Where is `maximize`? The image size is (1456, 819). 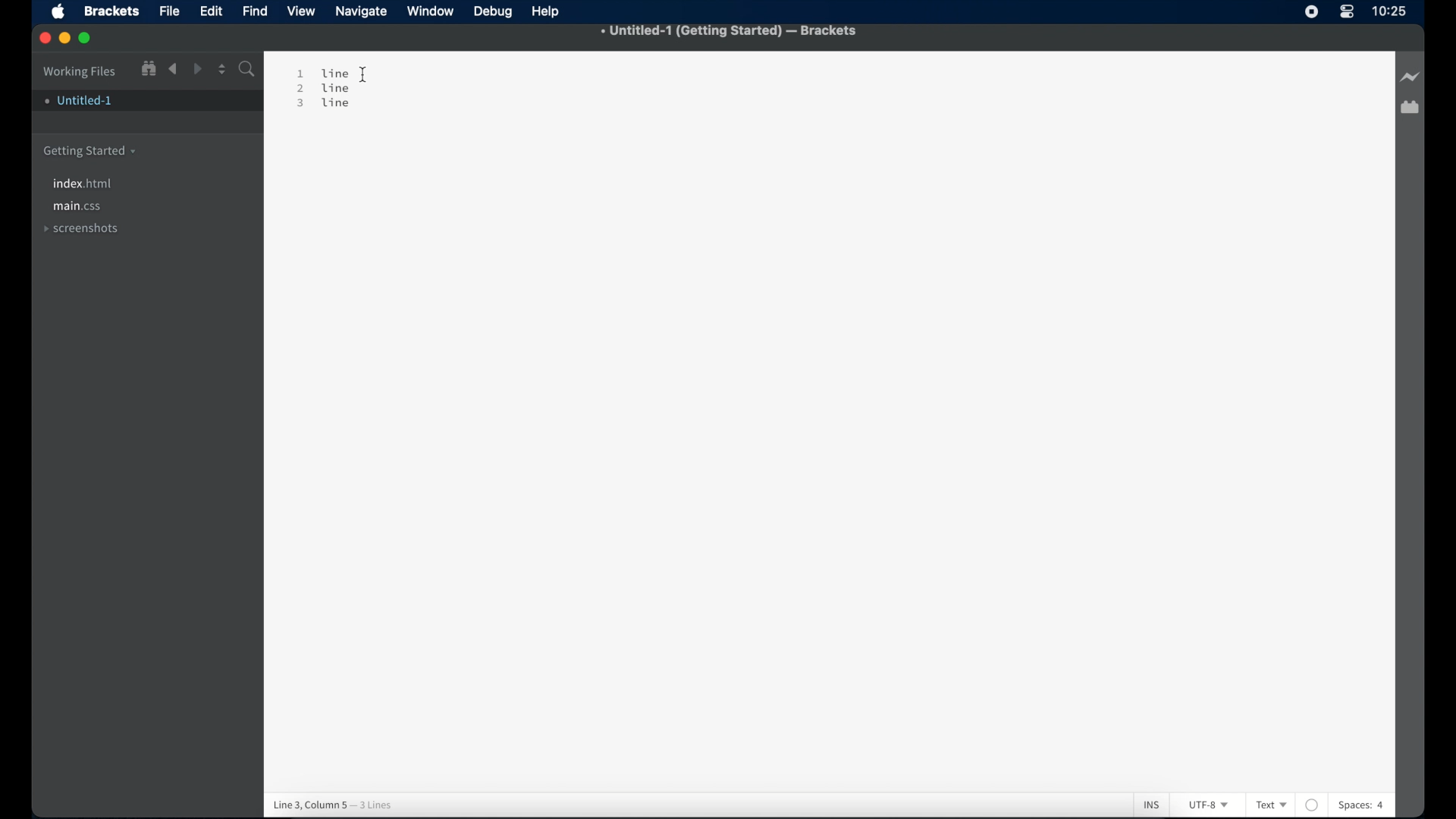 maximize is located at coordinates (86, 39).